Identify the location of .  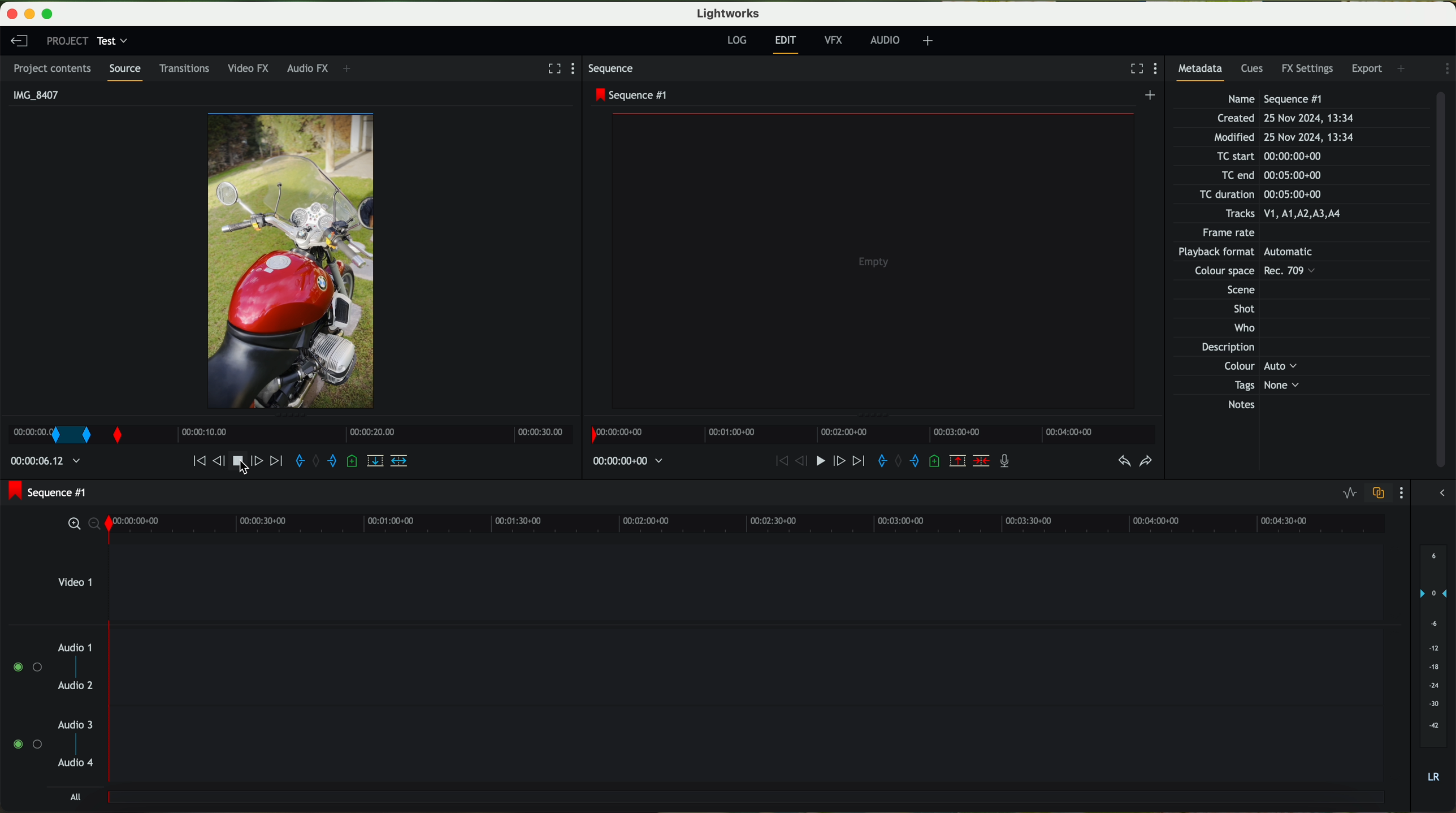
(1242, 273).